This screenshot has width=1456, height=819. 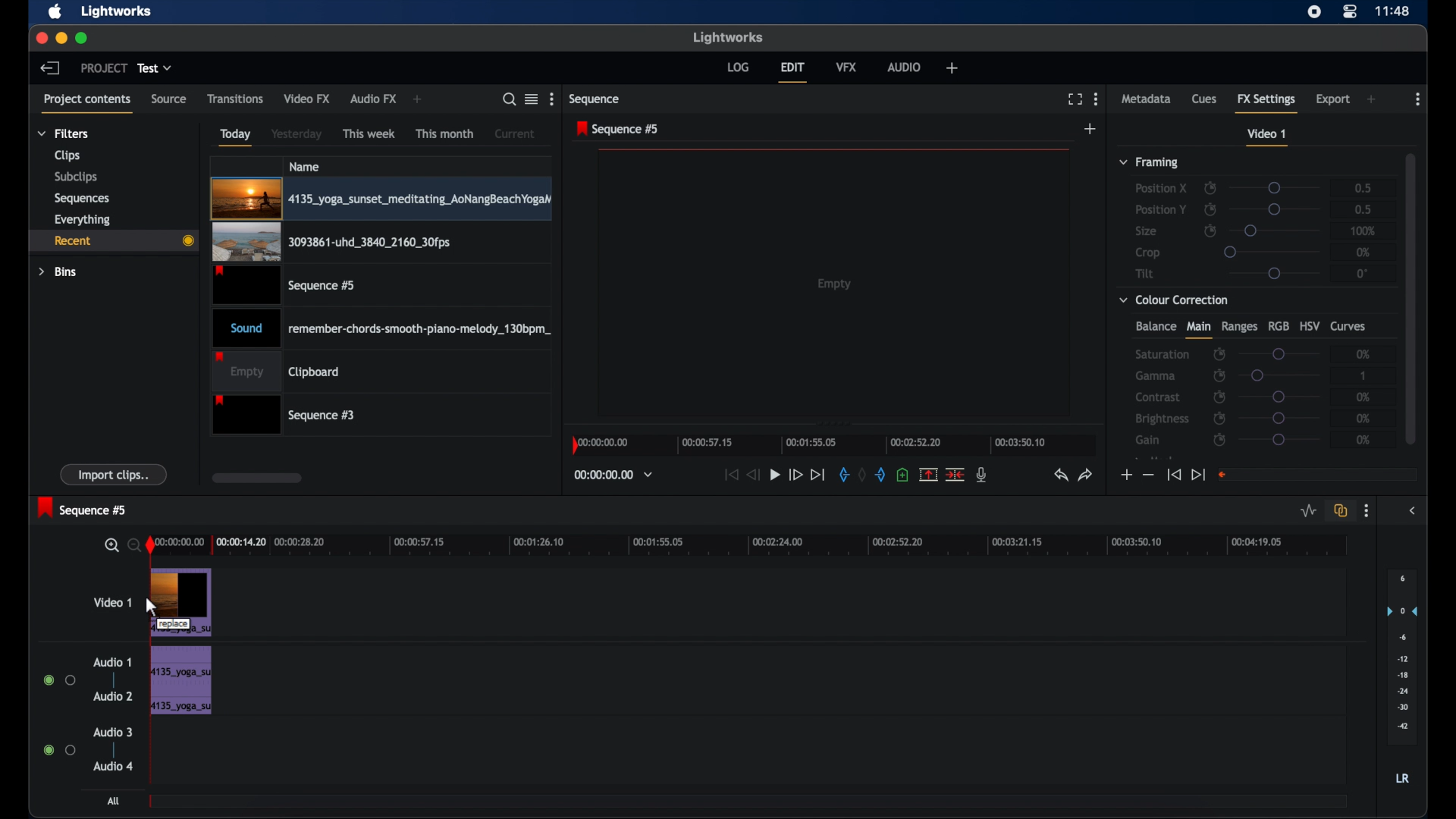 What do you see at coordinates (818, 474) in the screenshot?
I see `jump to end` at bounding box center [818, 474].